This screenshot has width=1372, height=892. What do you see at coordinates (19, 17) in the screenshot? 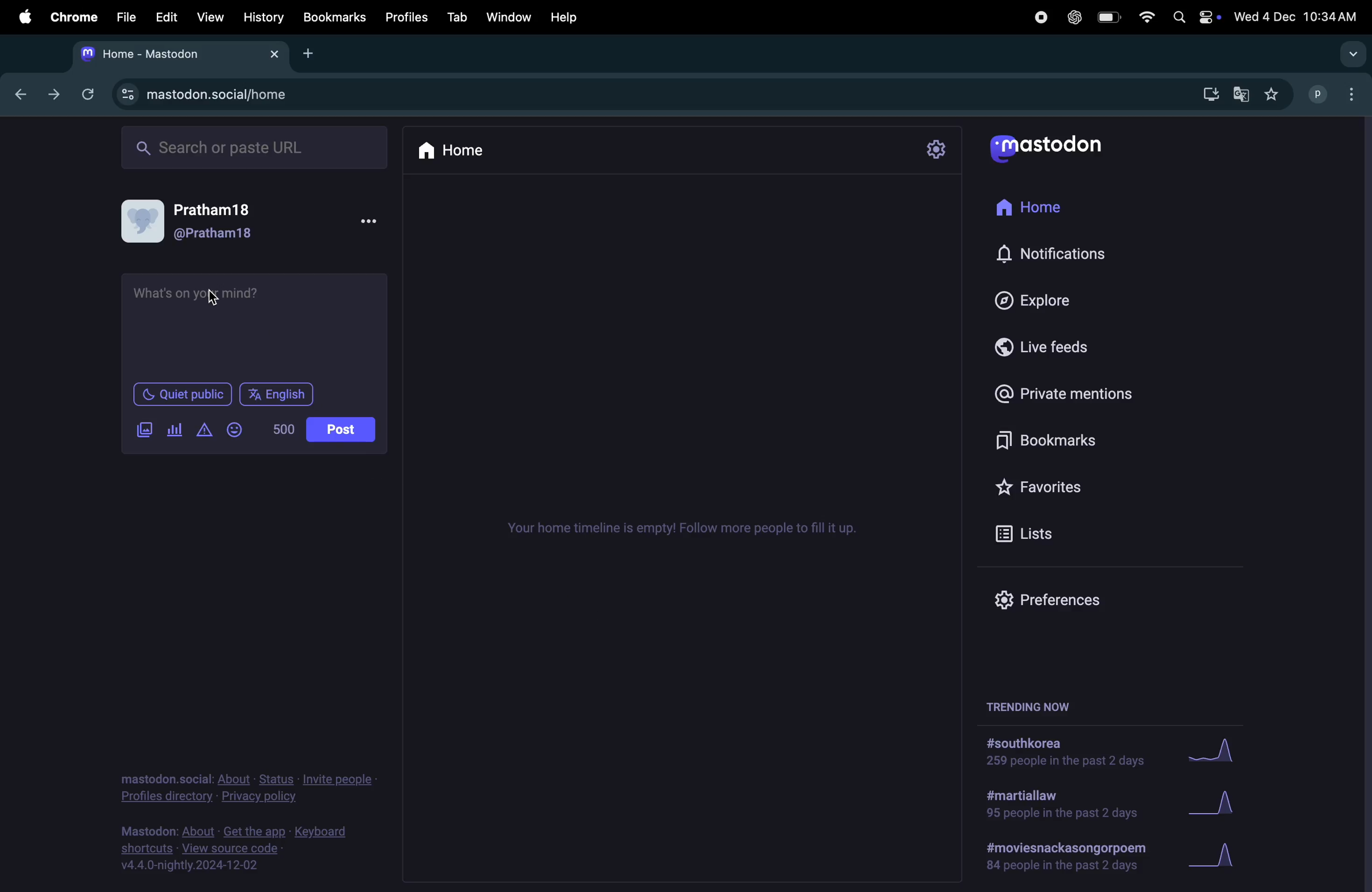
I see `apple menu` at bounding box center [19, 17].